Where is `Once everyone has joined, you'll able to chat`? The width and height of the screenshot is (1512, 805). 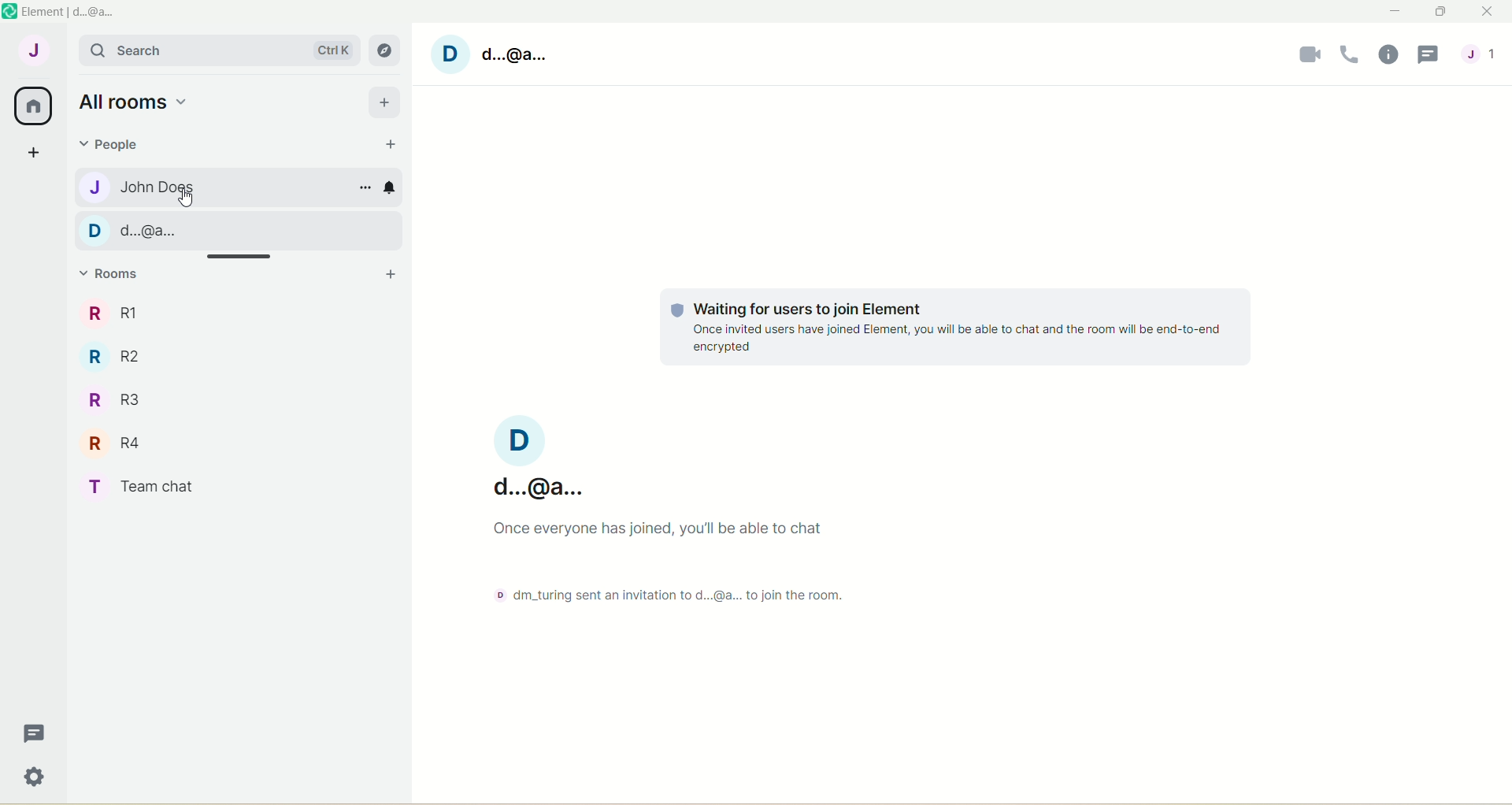
Once everyone has joined, you'll able to chat is located at coordinates (660, 527).